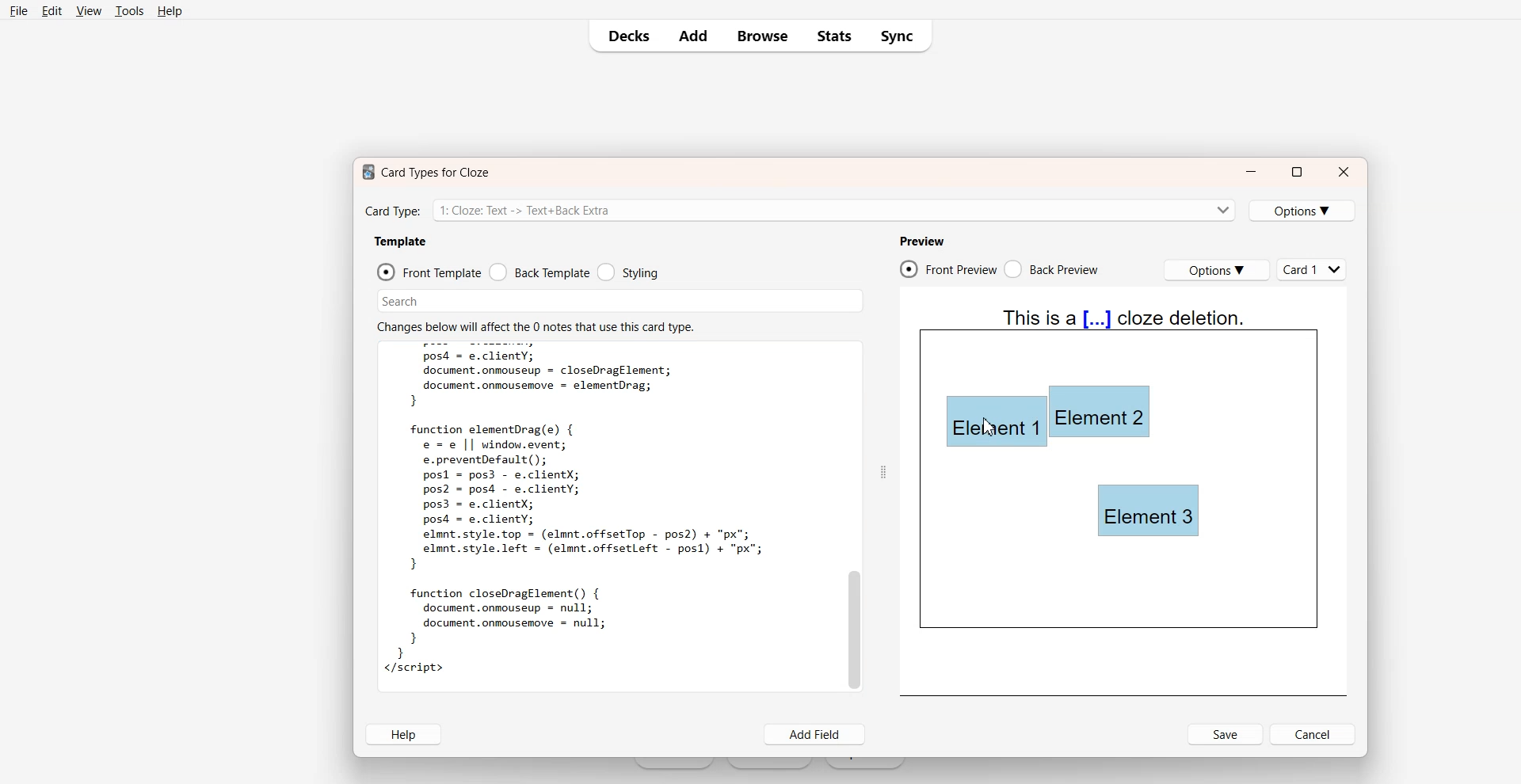 The image size is (1521, 784). Describe the element at coordinates (692, 36) in the screenshot. I see `Add` at that location.